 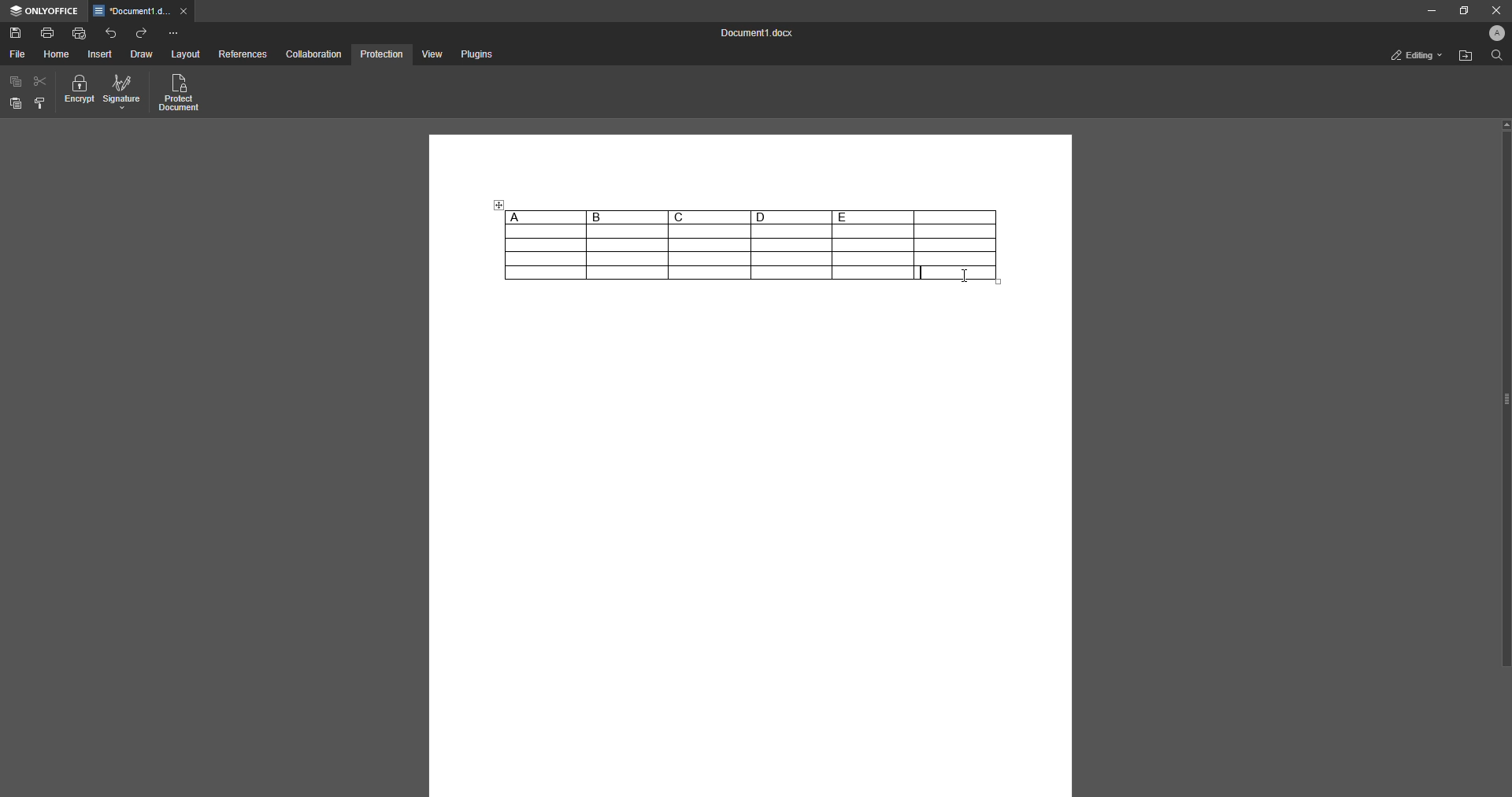 I want to click on Style, so click(x=41, y=103).